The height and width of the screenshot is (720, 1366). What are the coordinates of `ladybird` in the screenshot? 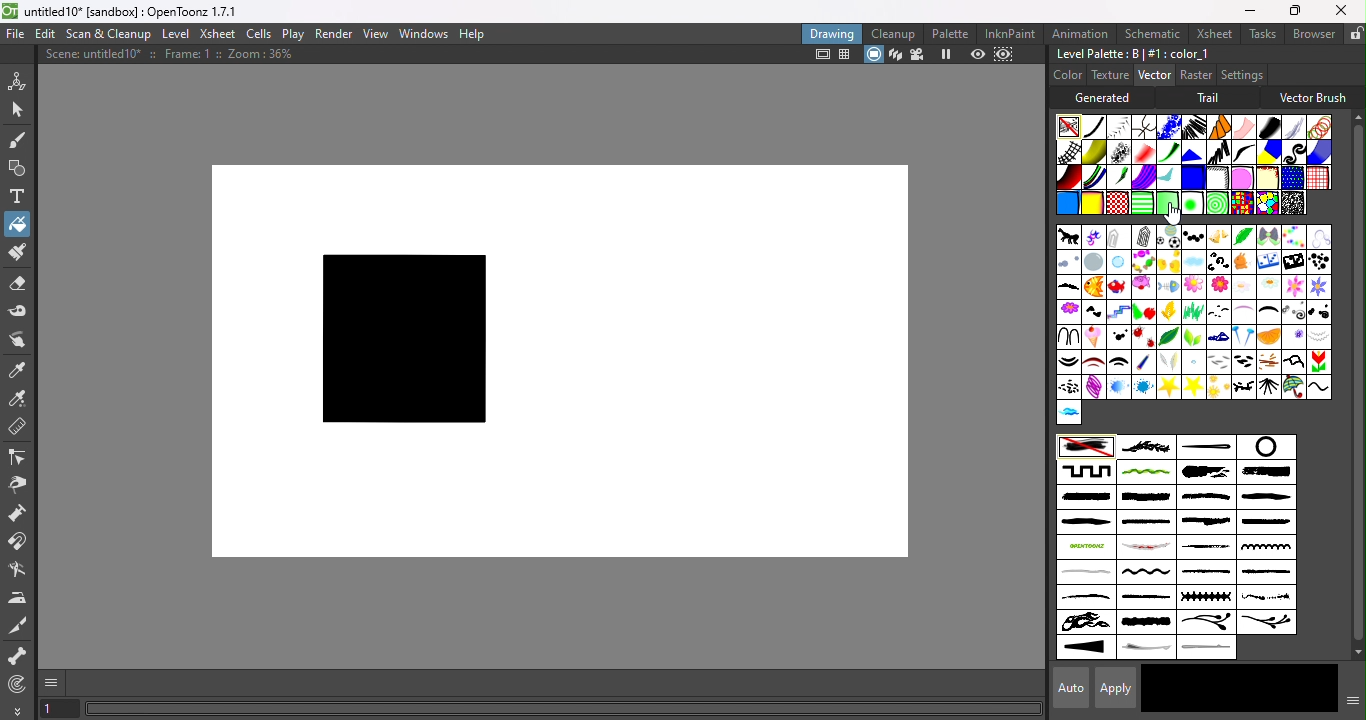 It's located at (1143, 337).